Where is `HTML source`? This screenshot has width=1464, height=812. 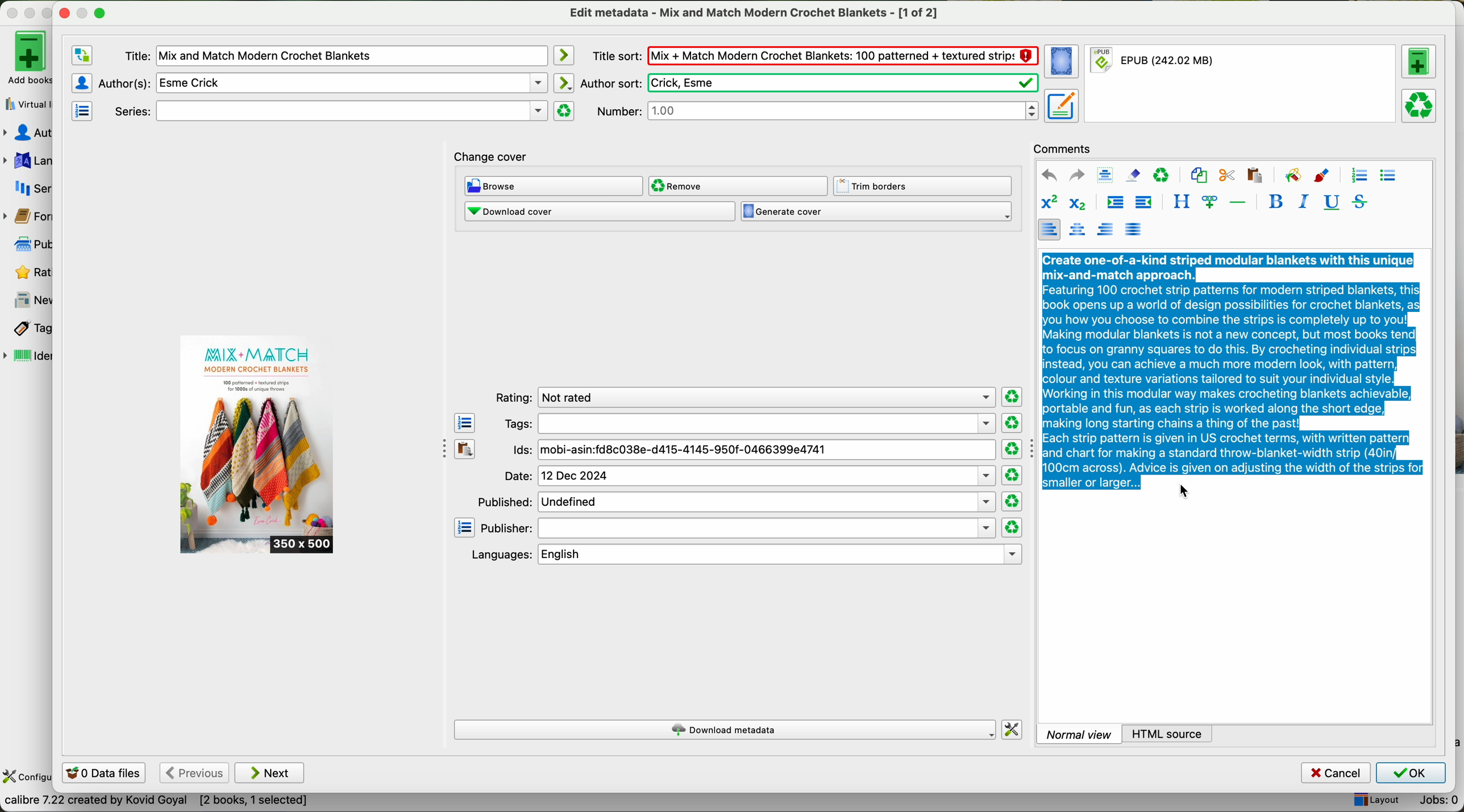
HTML source is located at coordinates (1168, 733).